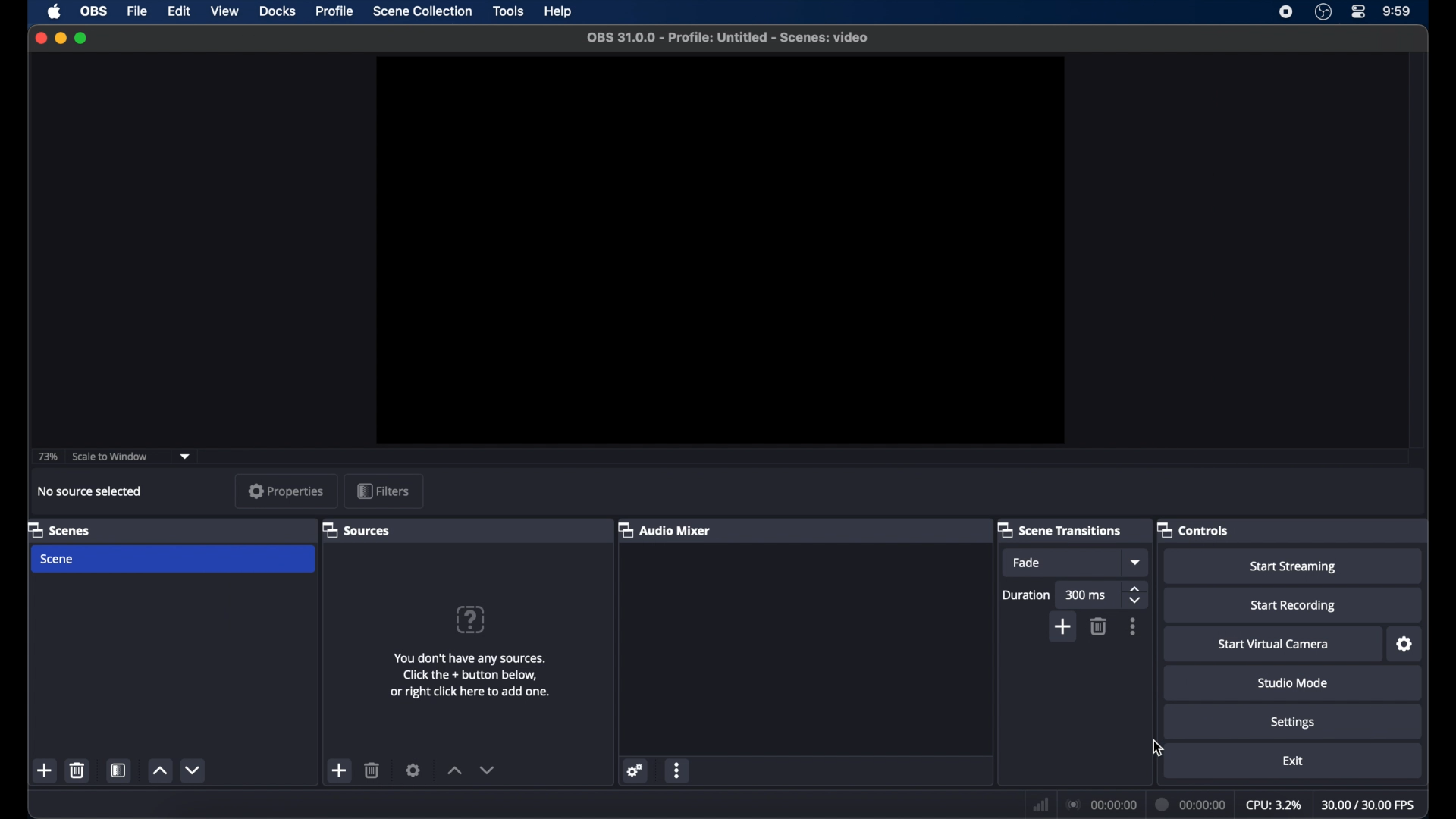 The image size is (1456, 819). I want to click on tools, so click(510, 12).